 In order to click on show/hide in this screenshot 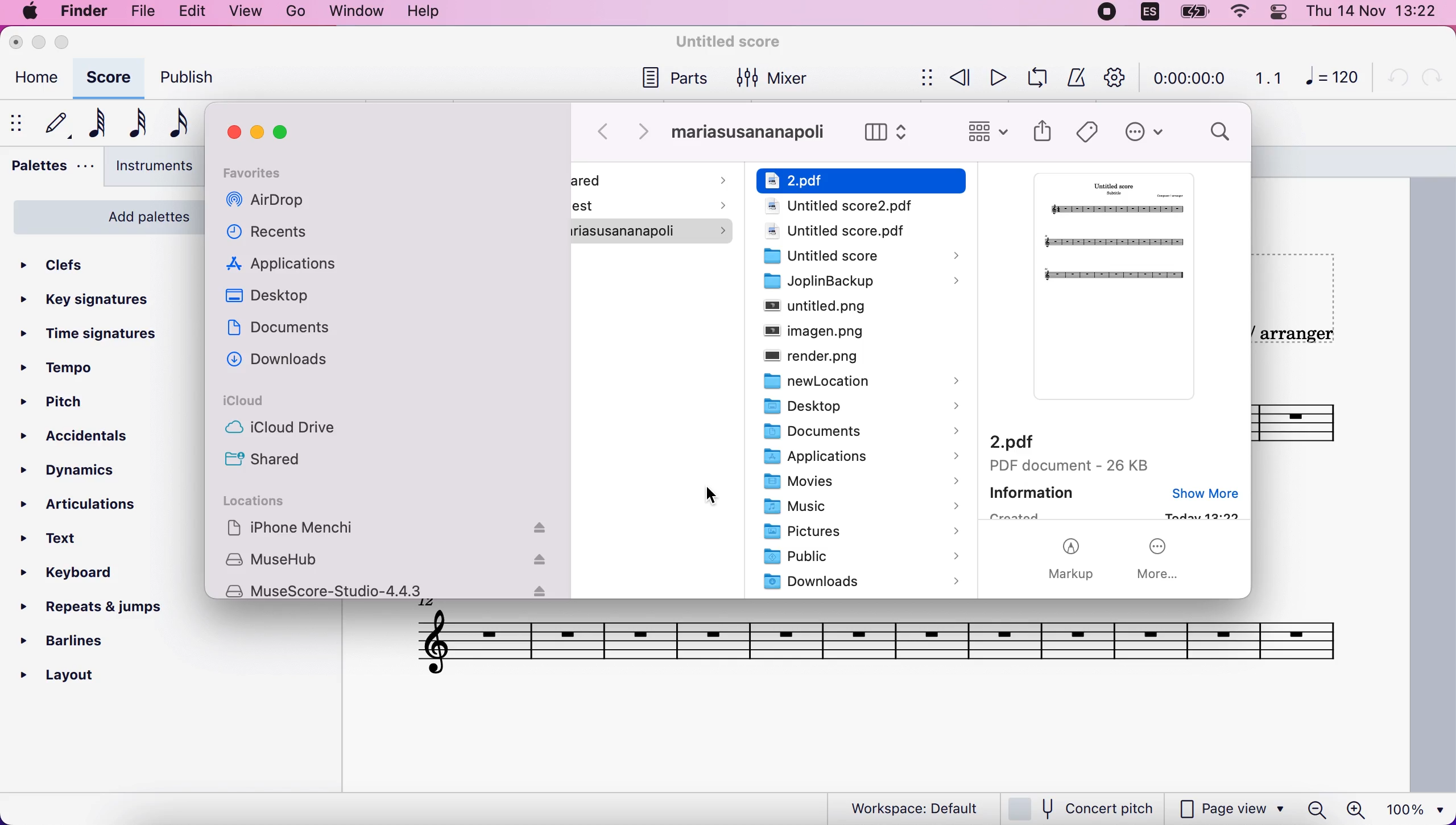, I will do `click(925, 77)`.